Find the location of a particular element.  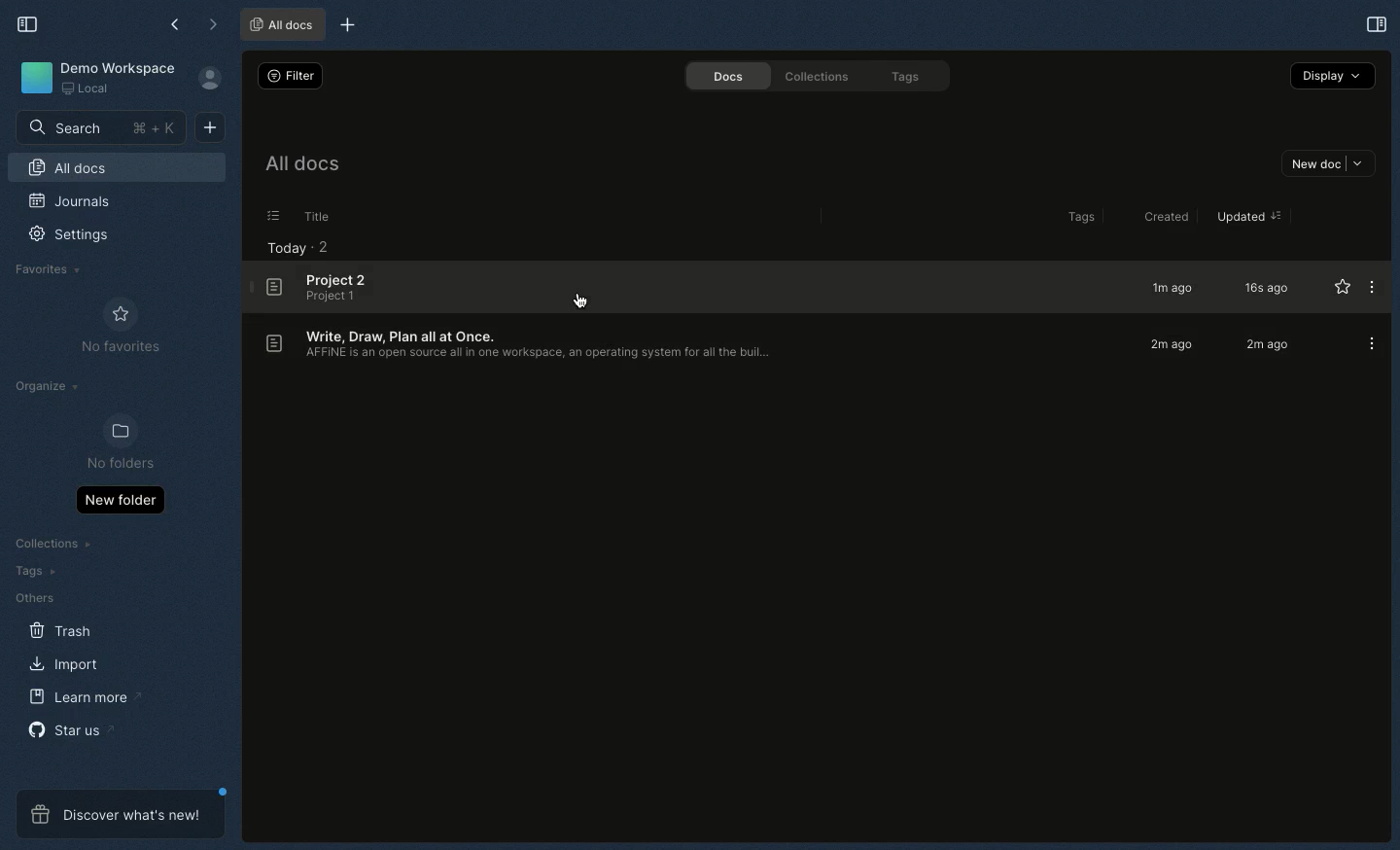

User is located at coordinates (209, 80).